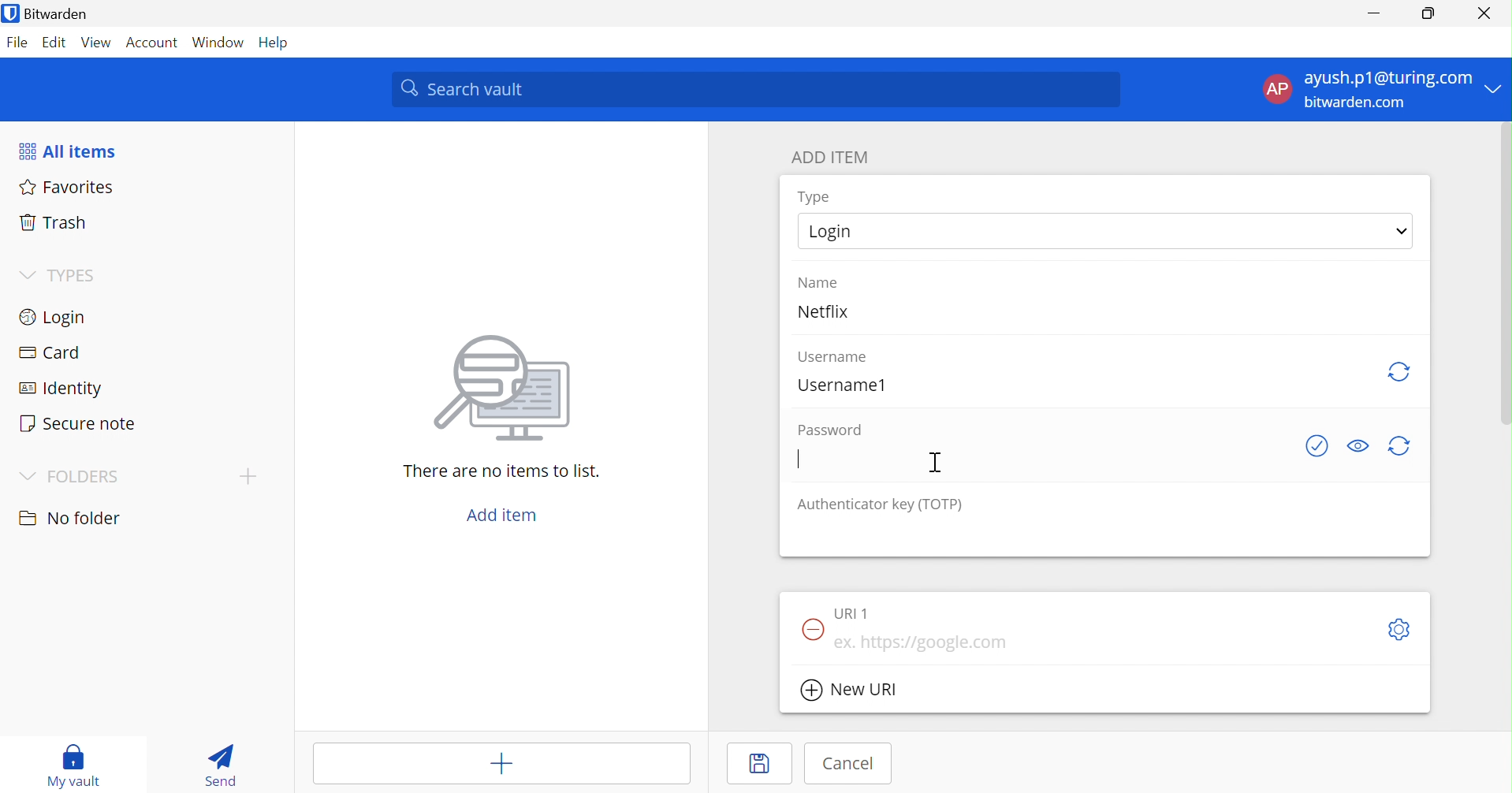 Image resolution: width=1512 pixels, height=793 pixels. I want to click on URl 1, so click(851, 613).